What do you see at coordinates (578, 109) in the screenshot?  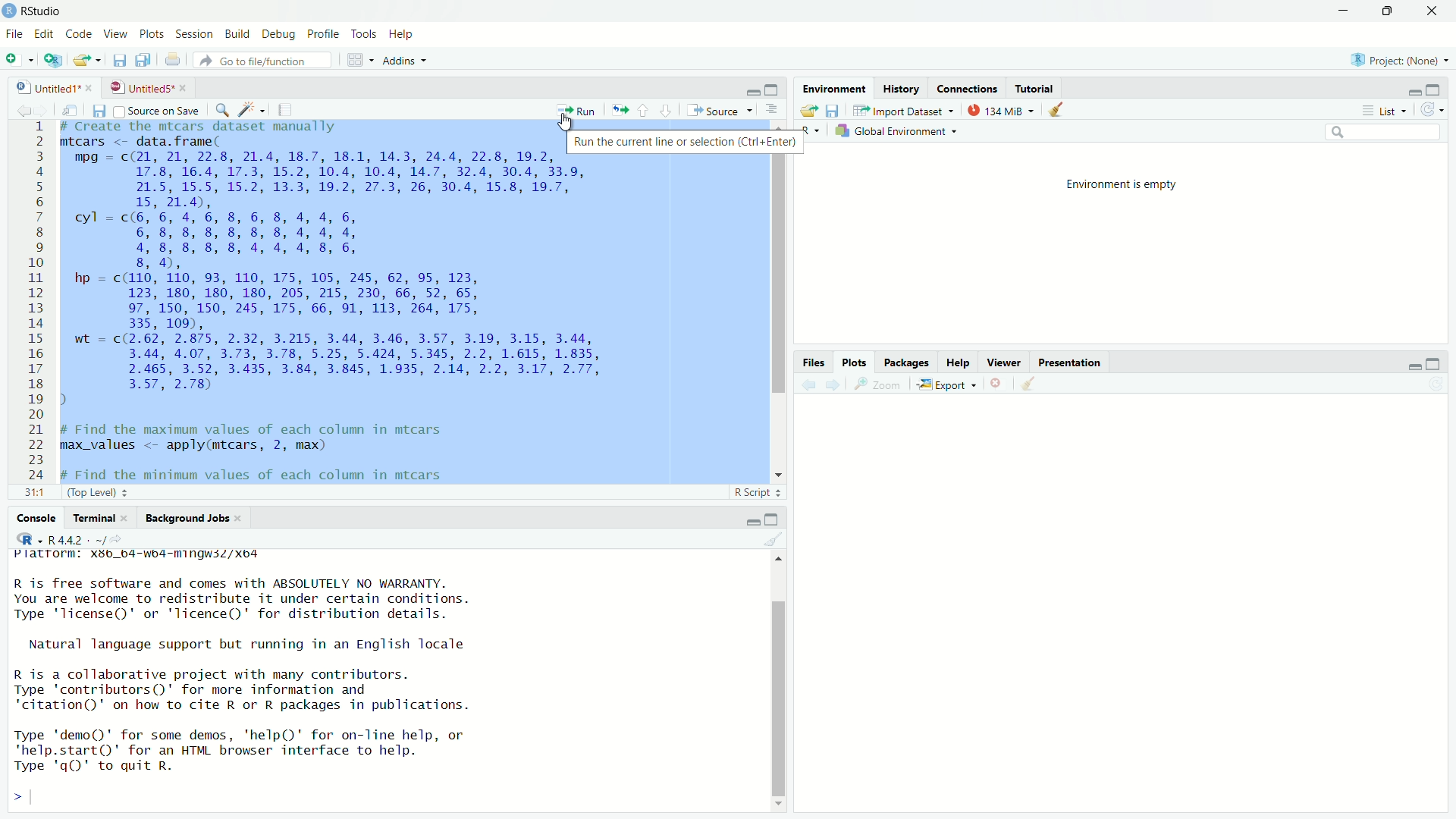 I see `Run` at bounding box center [578, 109].